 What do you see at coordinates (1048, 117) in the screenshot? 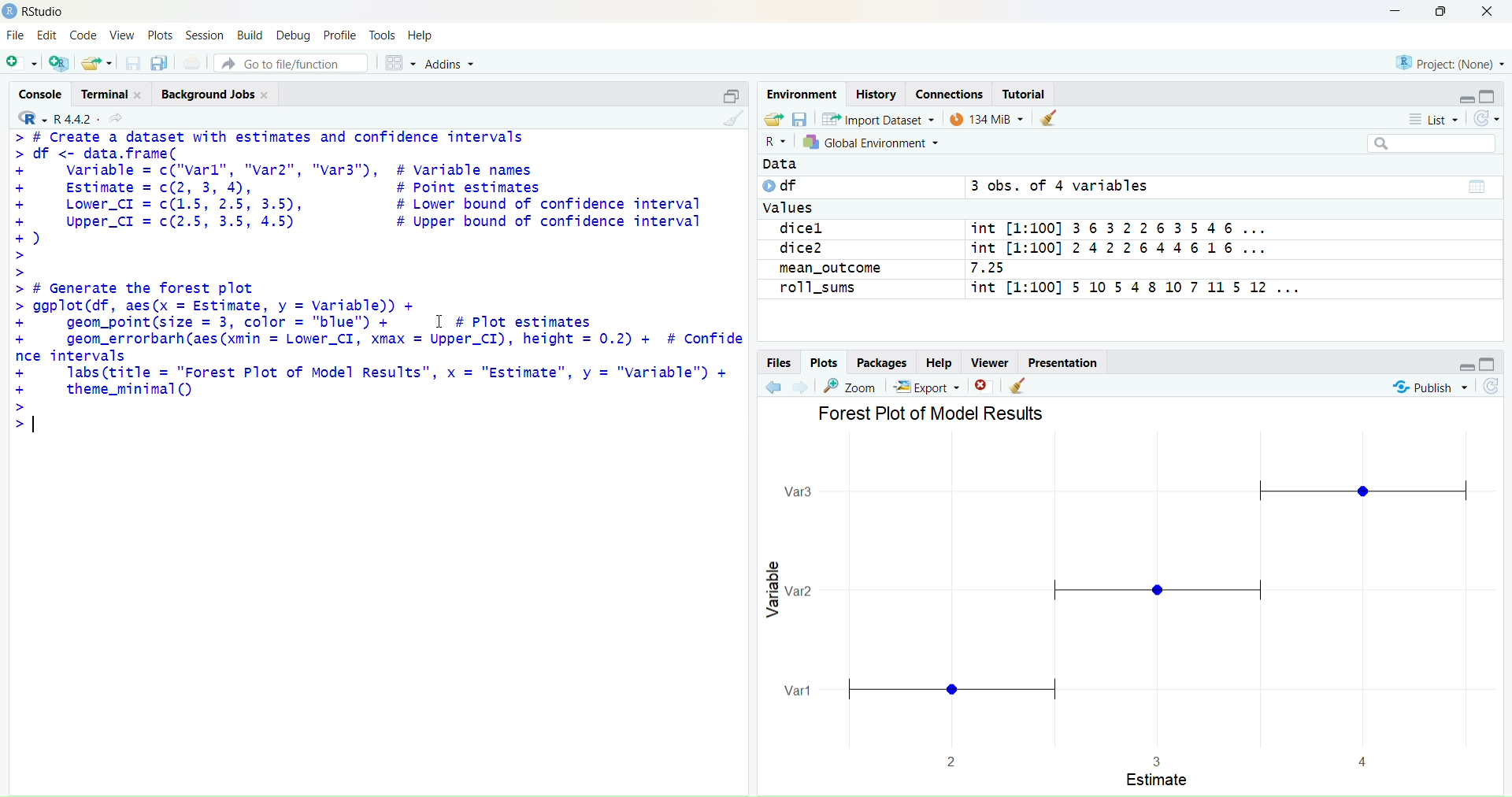
I see `clear` at bounding box center [1048, 117].